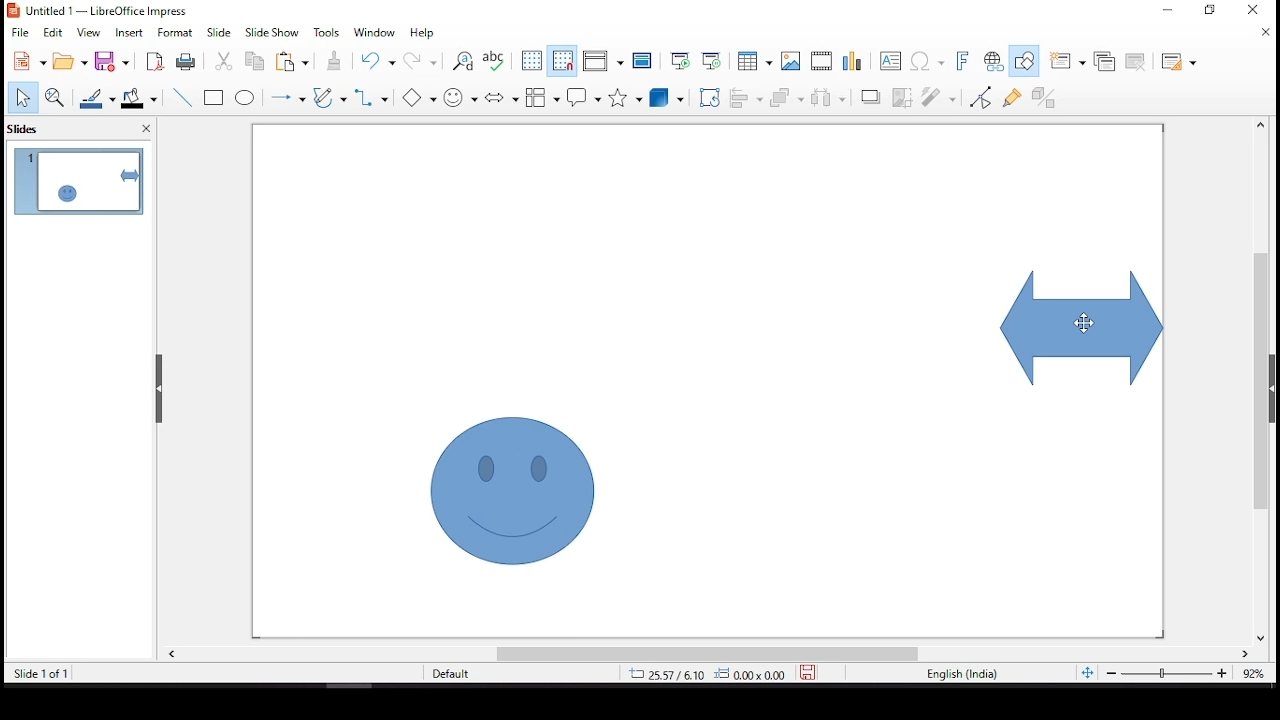  Describe the element at coordinates (55, 97) in the screenshot. I see `zoom and pan` at that location.